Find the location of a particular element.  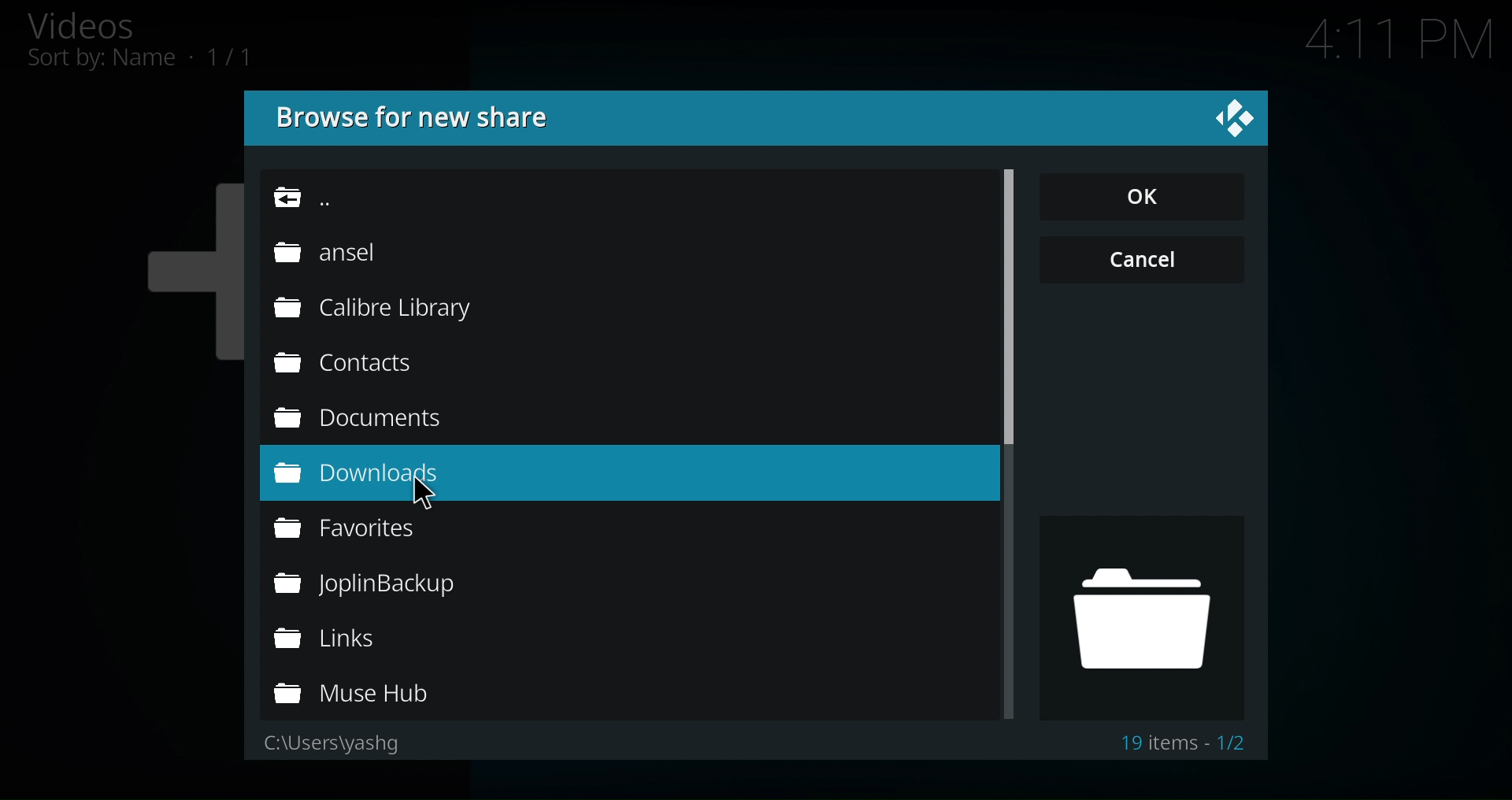

JoplinBackup is located at coordinates (363, 583).